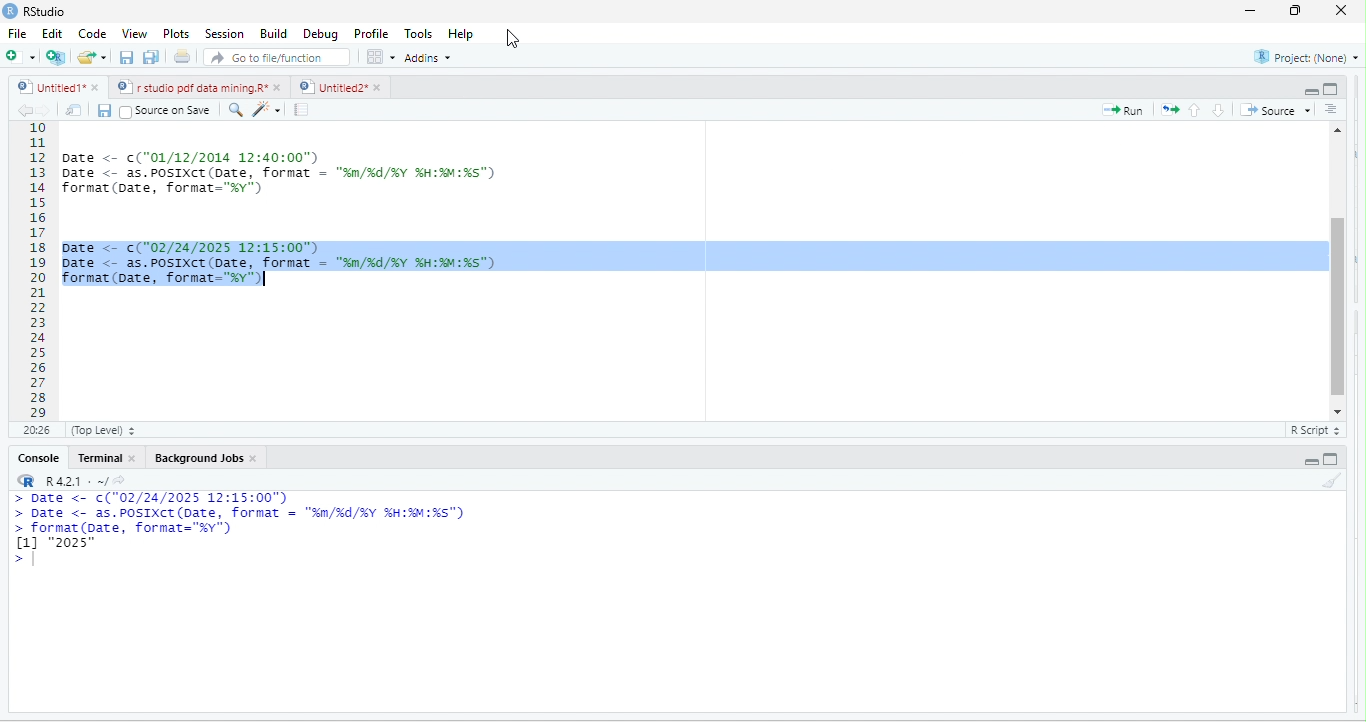 This screenshot has height=722, width=1366. I want to click on < format(x, -) 24/2025 12:15:00")
<= as.POSIXCT (Date, format = “%m/¥d/%Y %H:imMi%s")
at (pate, format="%v"), so click(689, 258).